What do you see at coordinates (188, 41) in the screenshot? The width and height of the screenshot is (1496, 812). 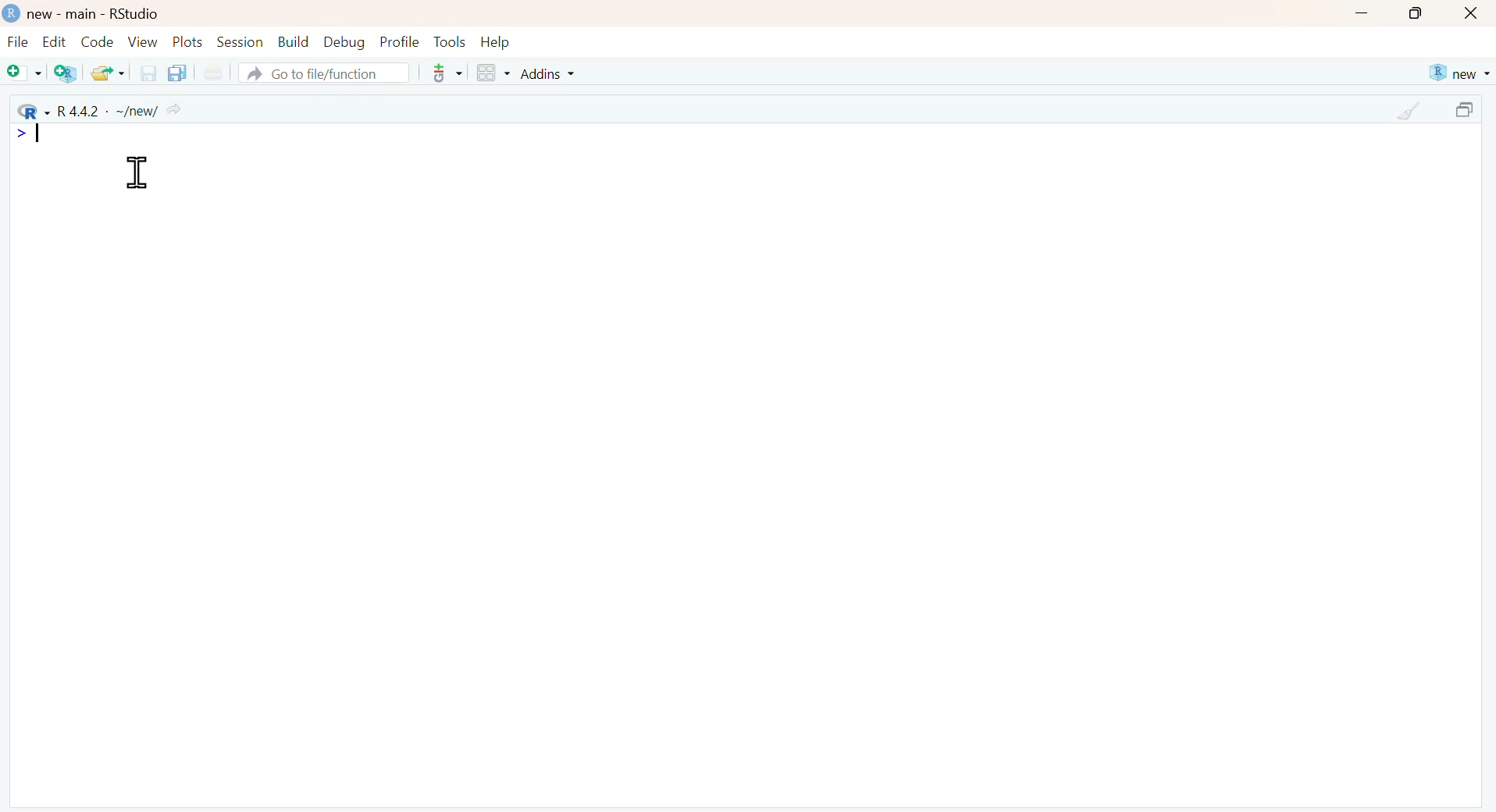 I see `Plots` at bounding box center [188, 41].